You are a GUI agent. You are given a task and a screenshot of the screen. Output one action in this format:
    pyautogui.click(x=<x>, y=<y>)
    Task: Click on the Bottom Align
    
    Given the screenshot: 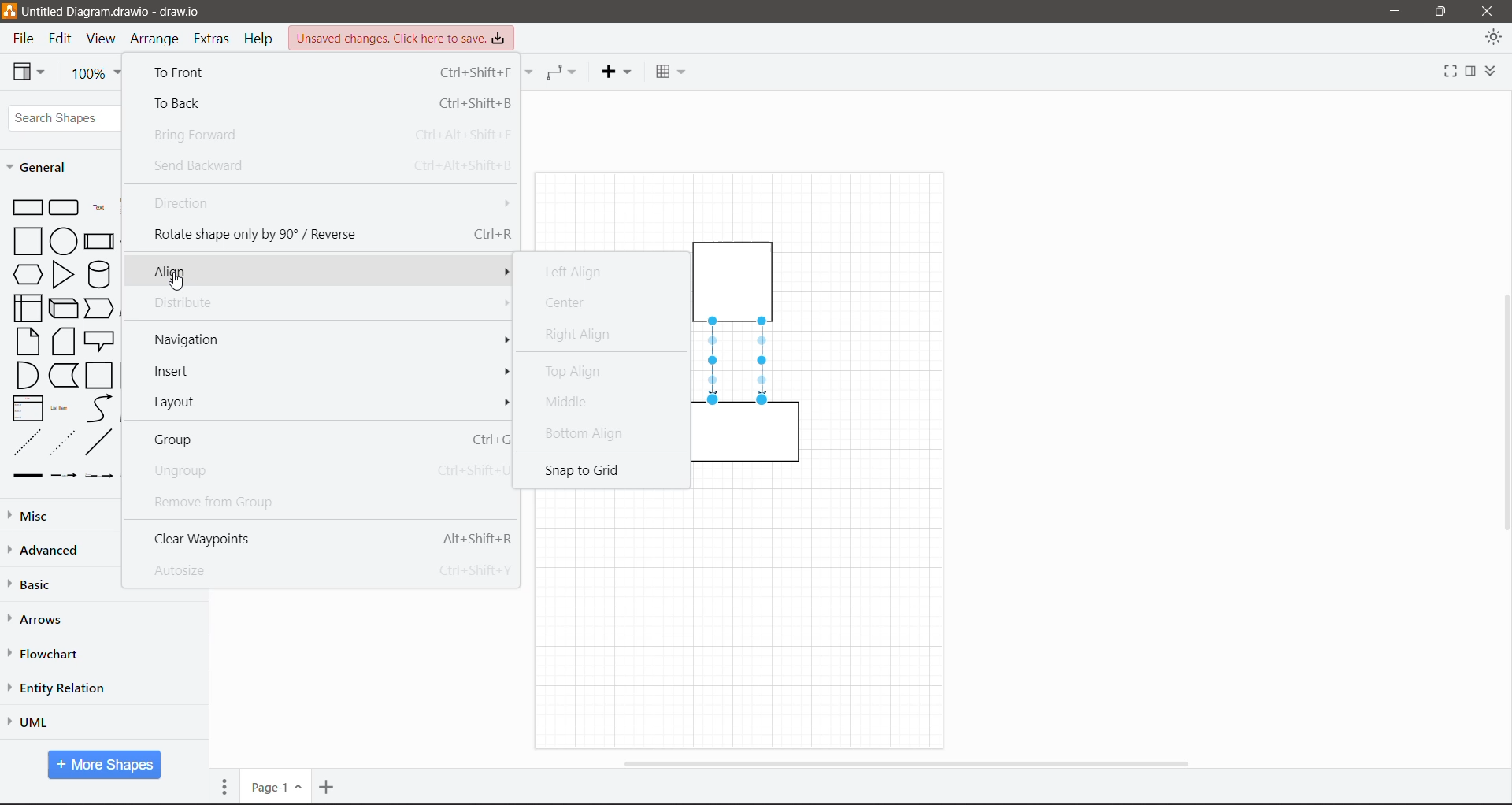 What is the action you would take?
    pyautogui.click(x=591, y=433)
    